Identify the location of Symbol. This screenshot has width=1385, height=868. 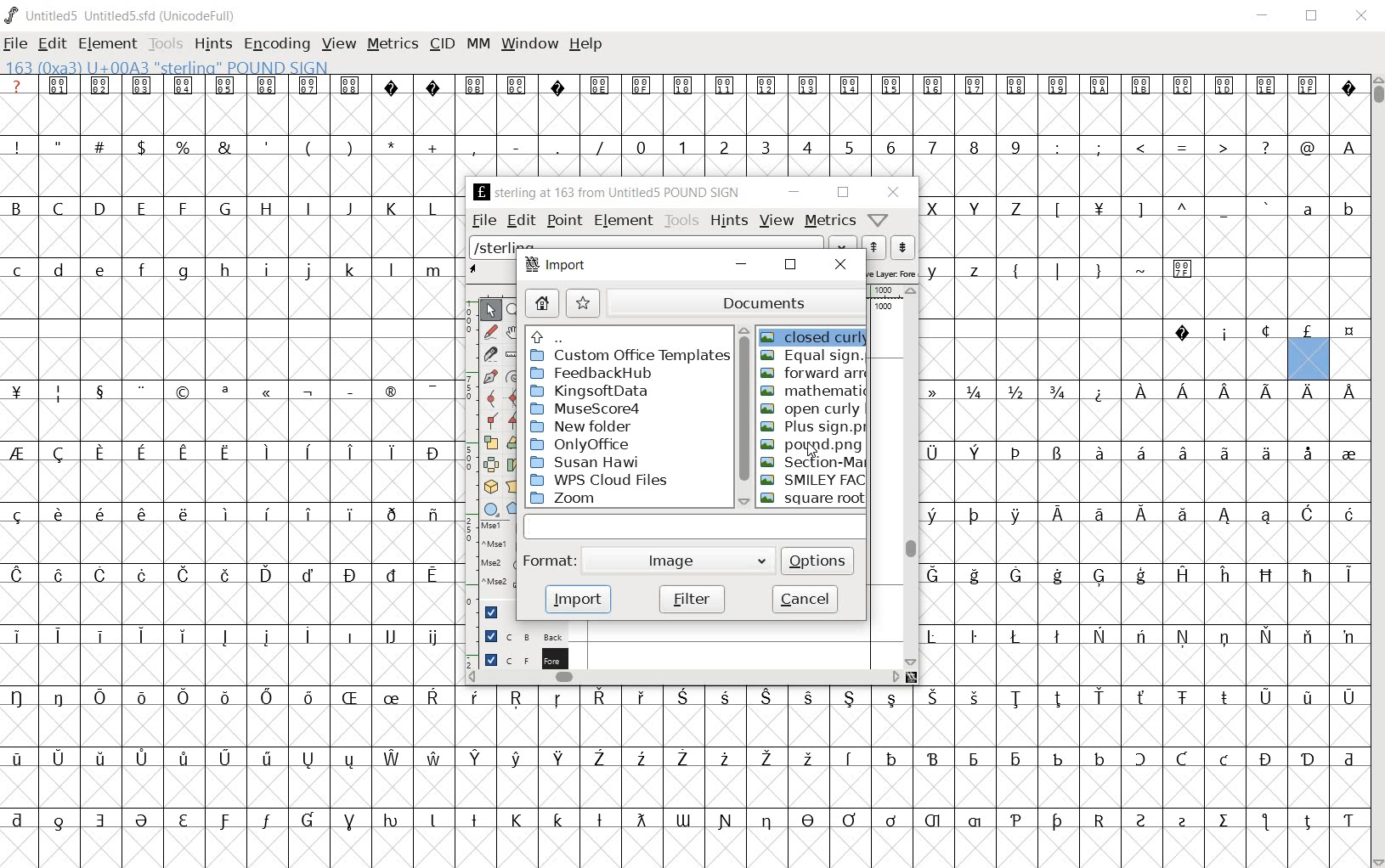
(1308, 819).